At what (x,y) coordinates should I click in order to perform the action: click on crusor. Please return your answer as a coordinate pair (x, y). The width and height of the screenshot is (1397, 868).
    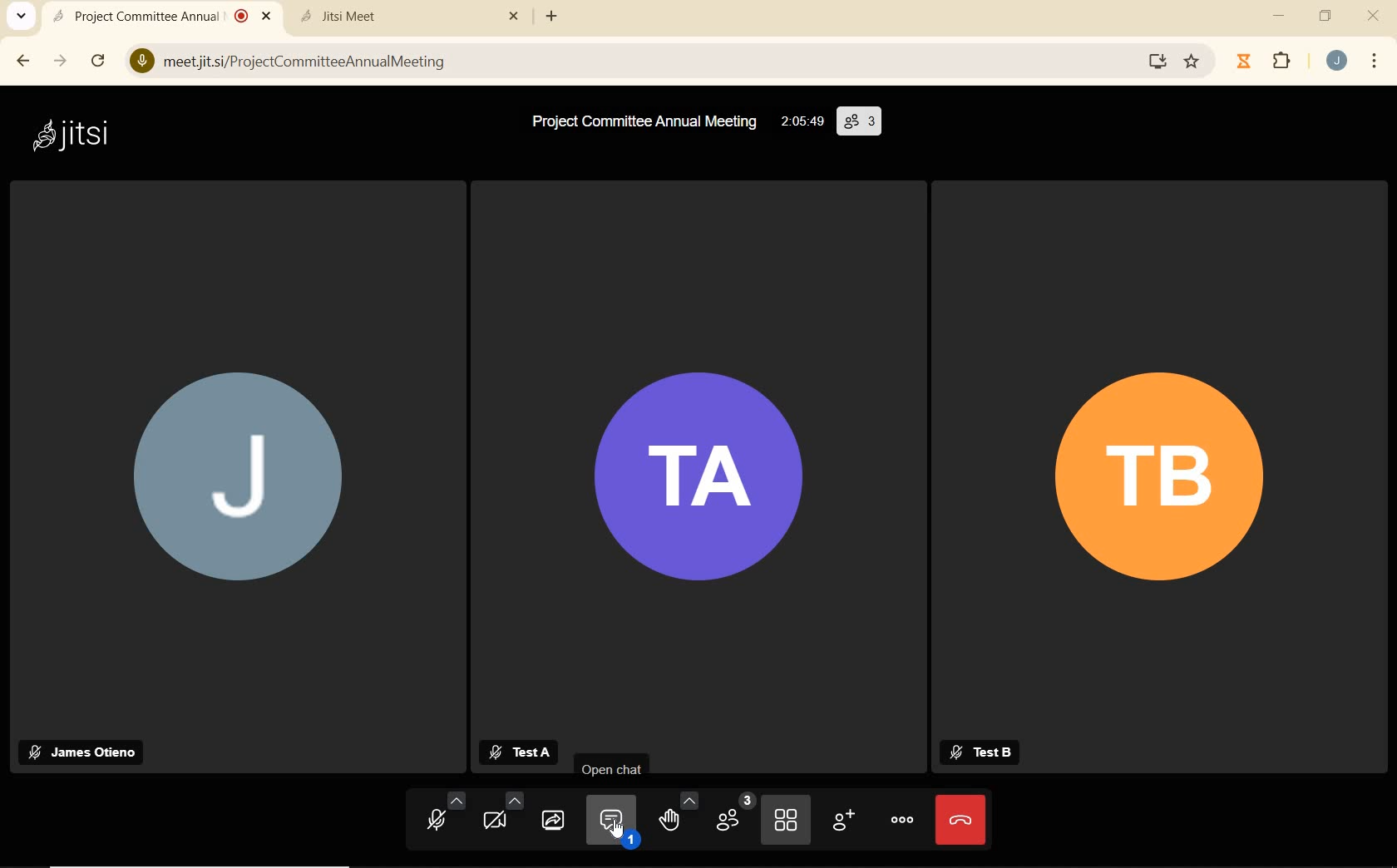
    Looking at the image, I should click on (615, 833).